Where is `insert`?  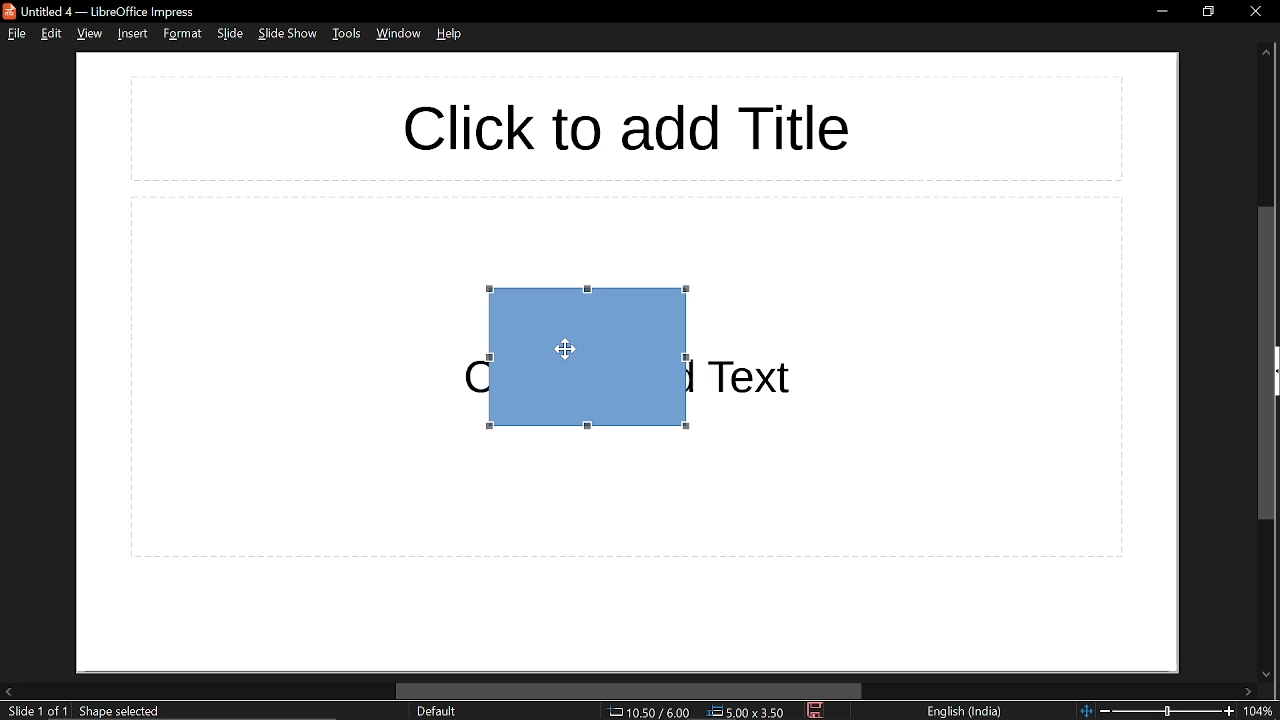 insert is located at coordinates (131, 34).